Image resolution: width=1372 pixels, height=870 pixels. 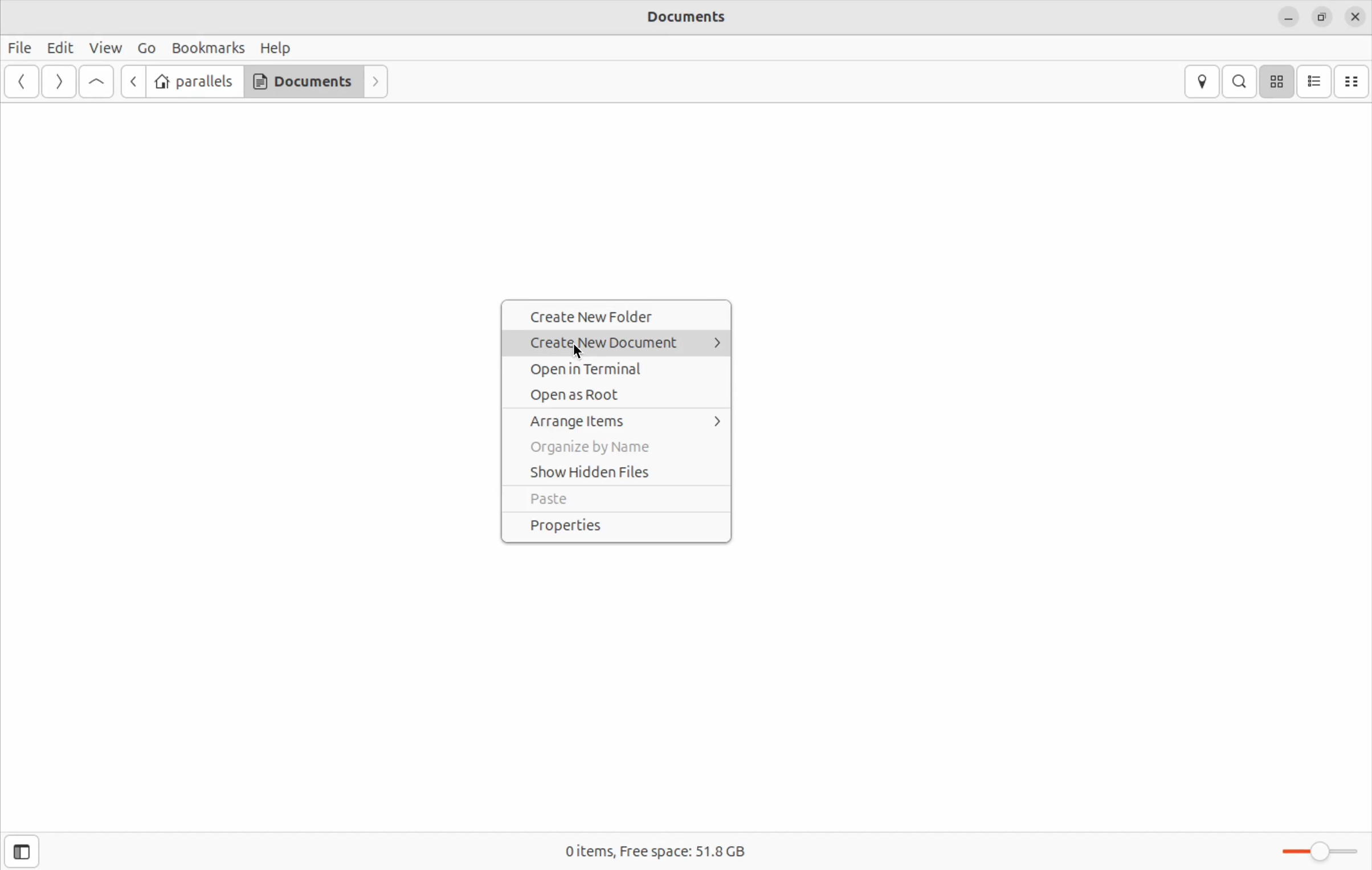 I want to click on Organize by Name, so click(x=617, y=448).